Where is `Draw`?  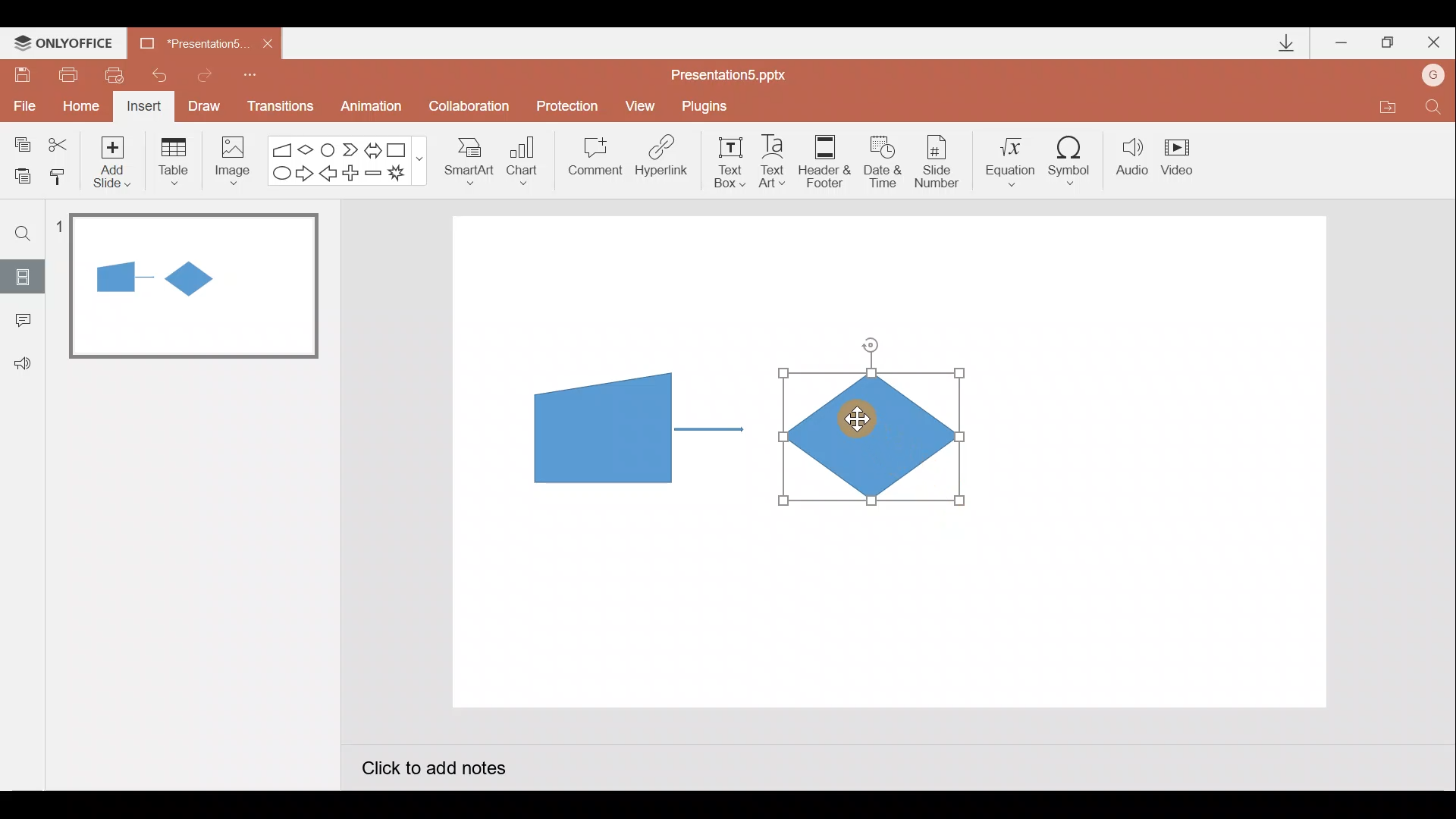
Draw is located at coordinates (205, 105).